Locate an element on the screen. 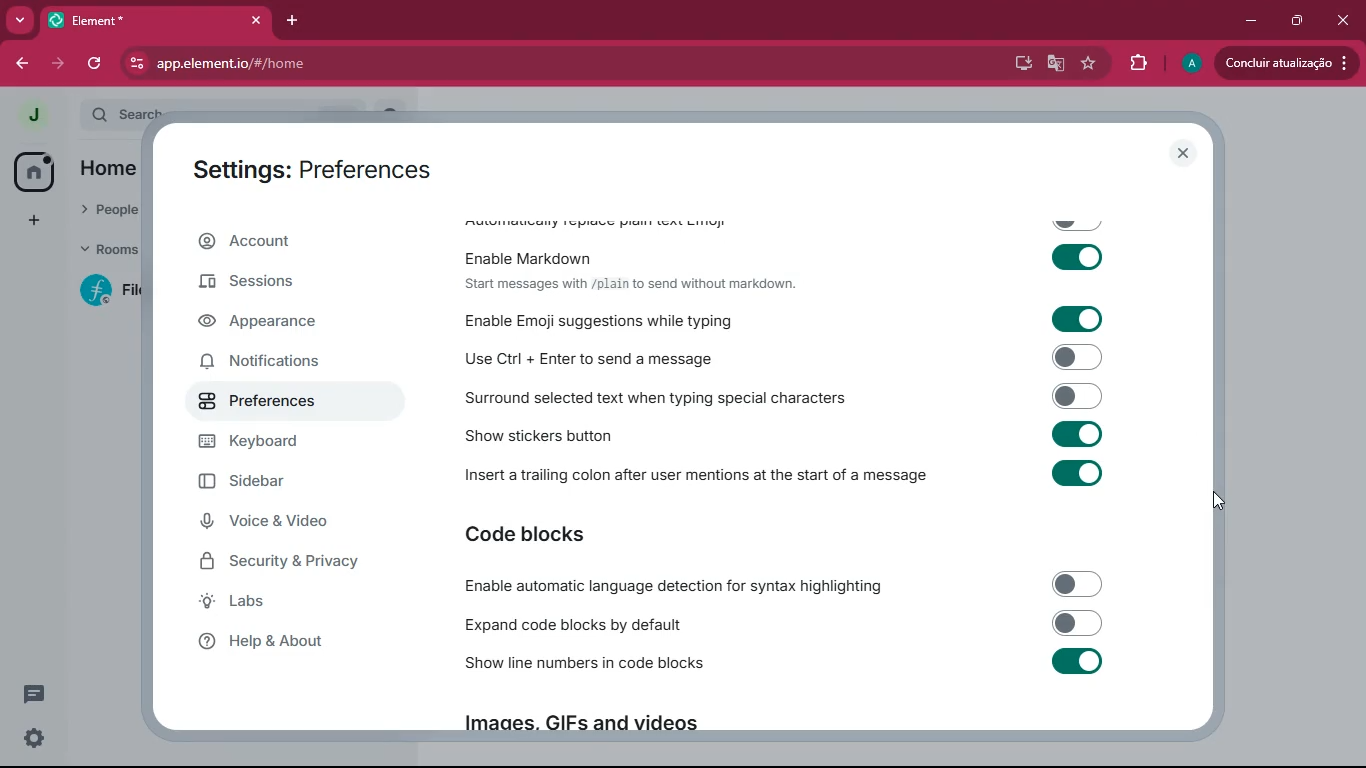 Image resolution: width=1366 pixels, height=768 pixels. settings : preferences is located at coordinates (325, 168).